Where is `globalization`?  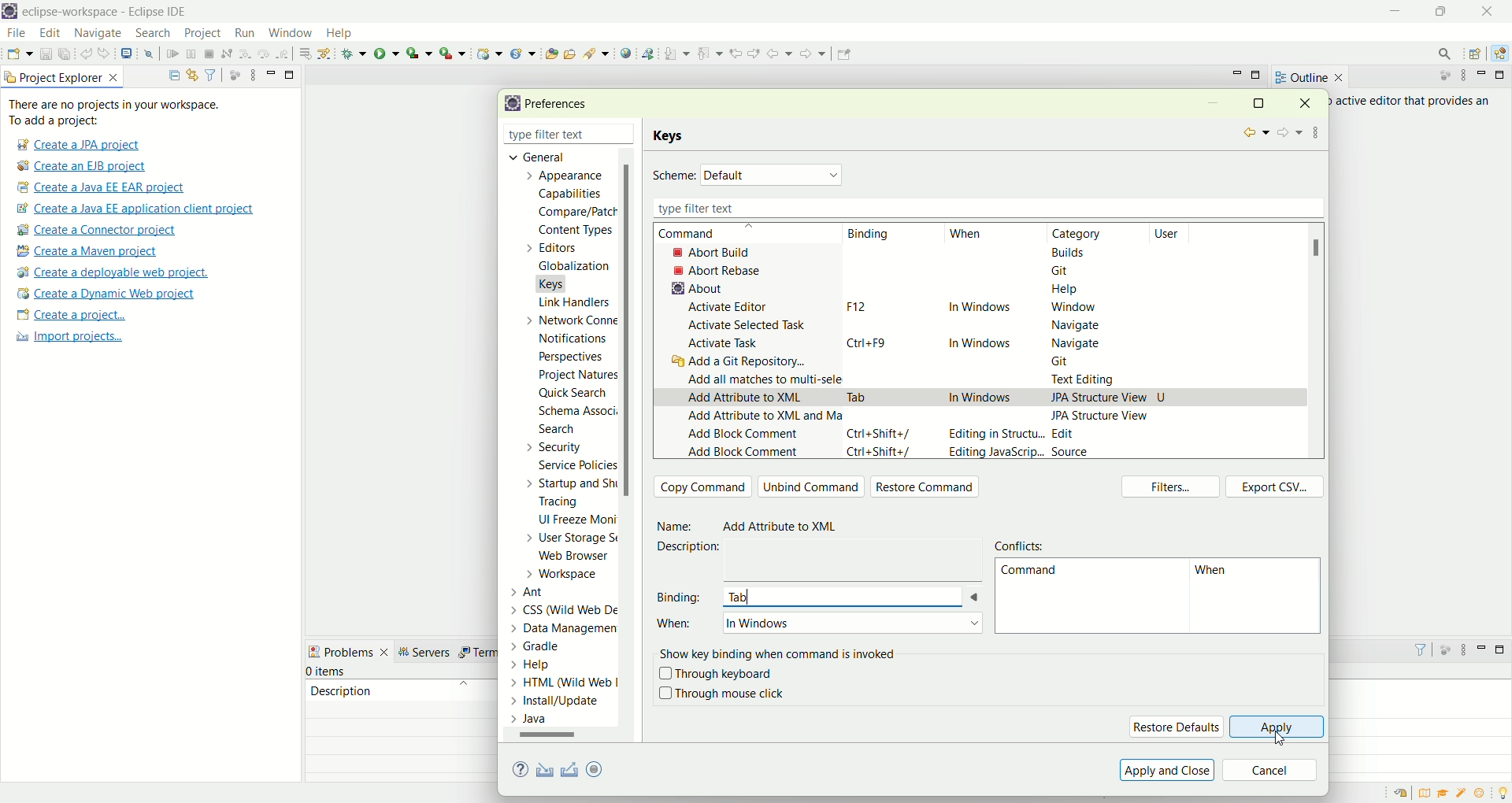
globalization is located at coordinates (573, 267).